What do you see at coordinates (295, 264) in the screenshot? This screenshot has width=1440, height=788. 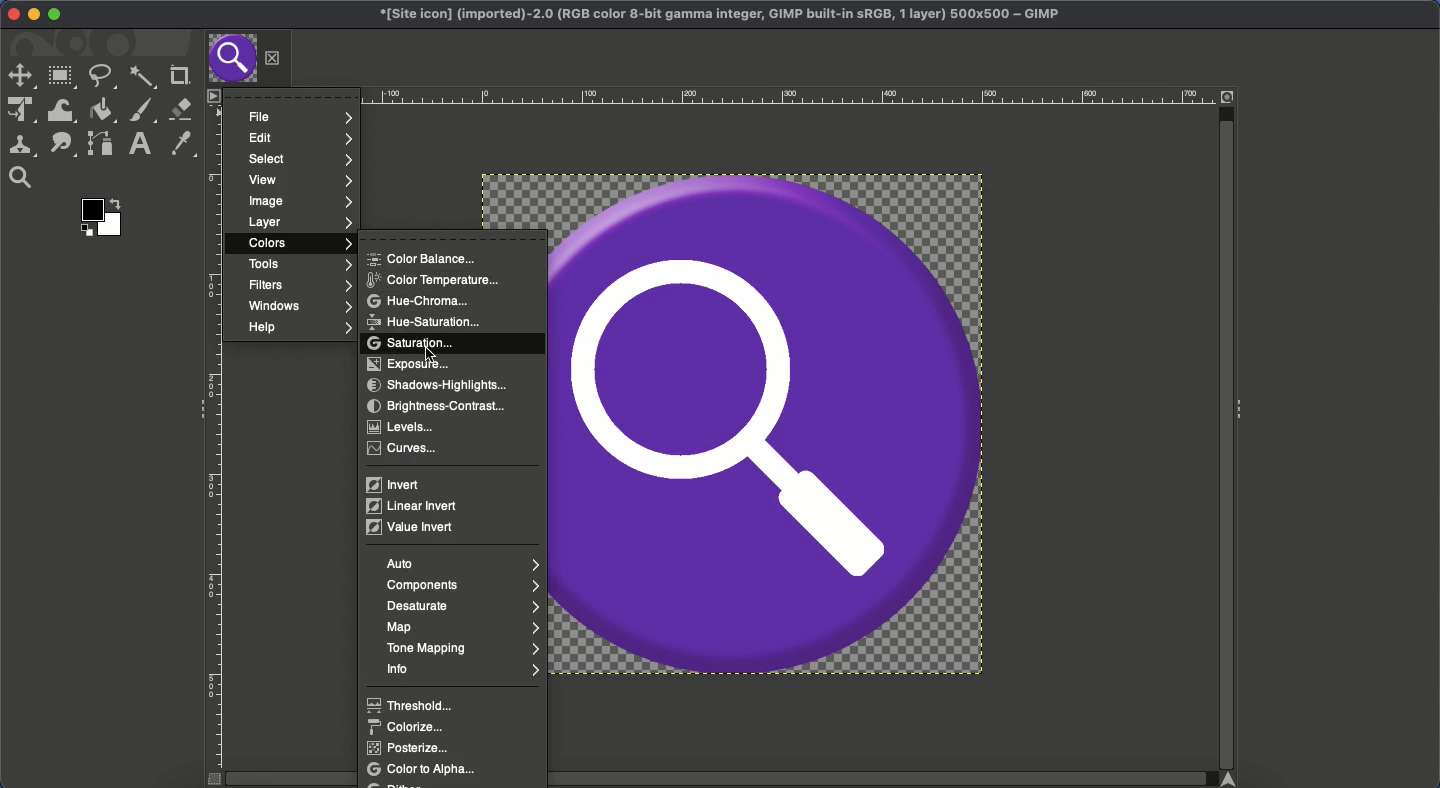 I see `Tools` at bounding box center [295, 264].